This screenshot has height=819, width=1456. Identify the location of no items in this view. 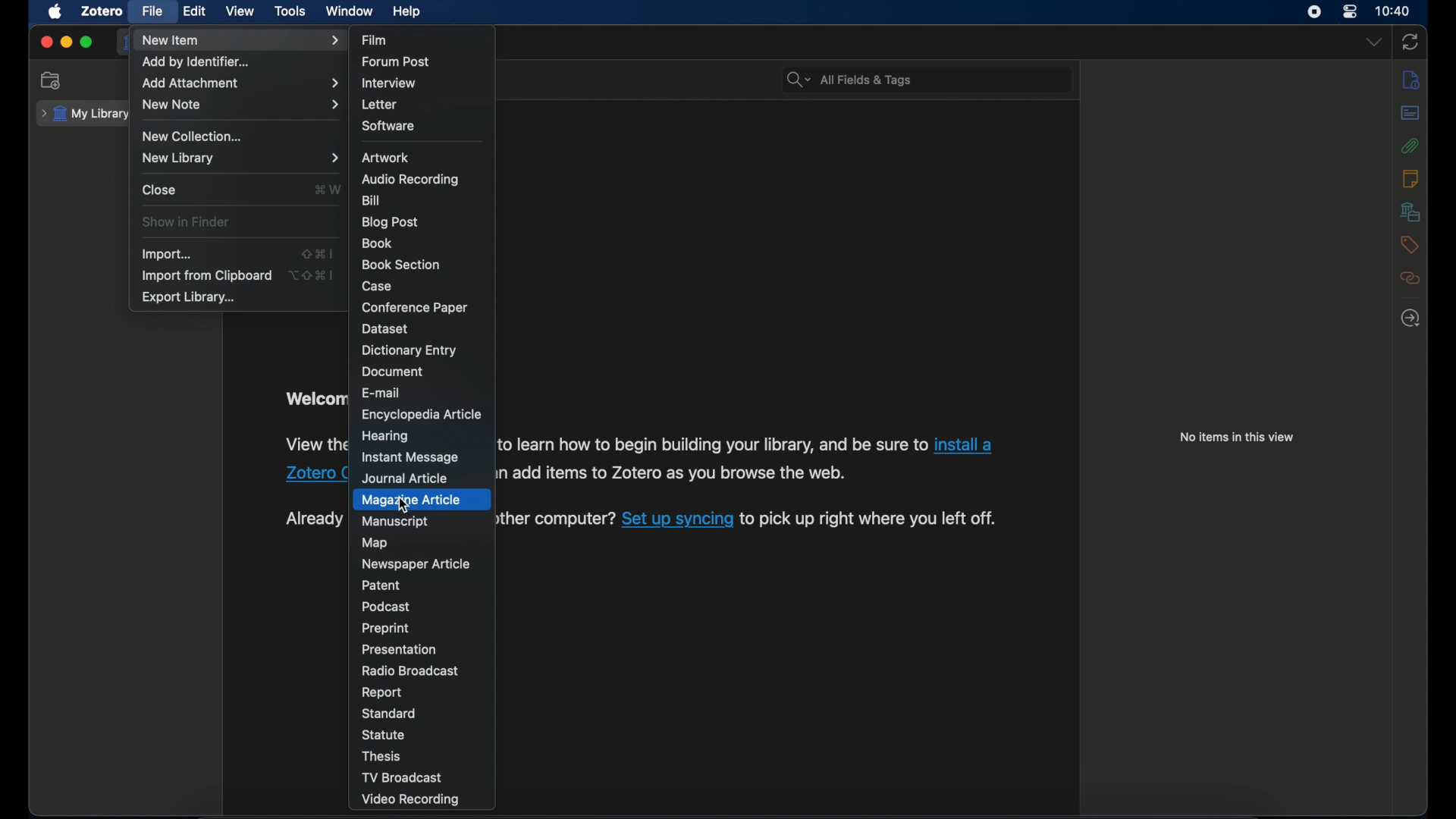
(1237, 437).